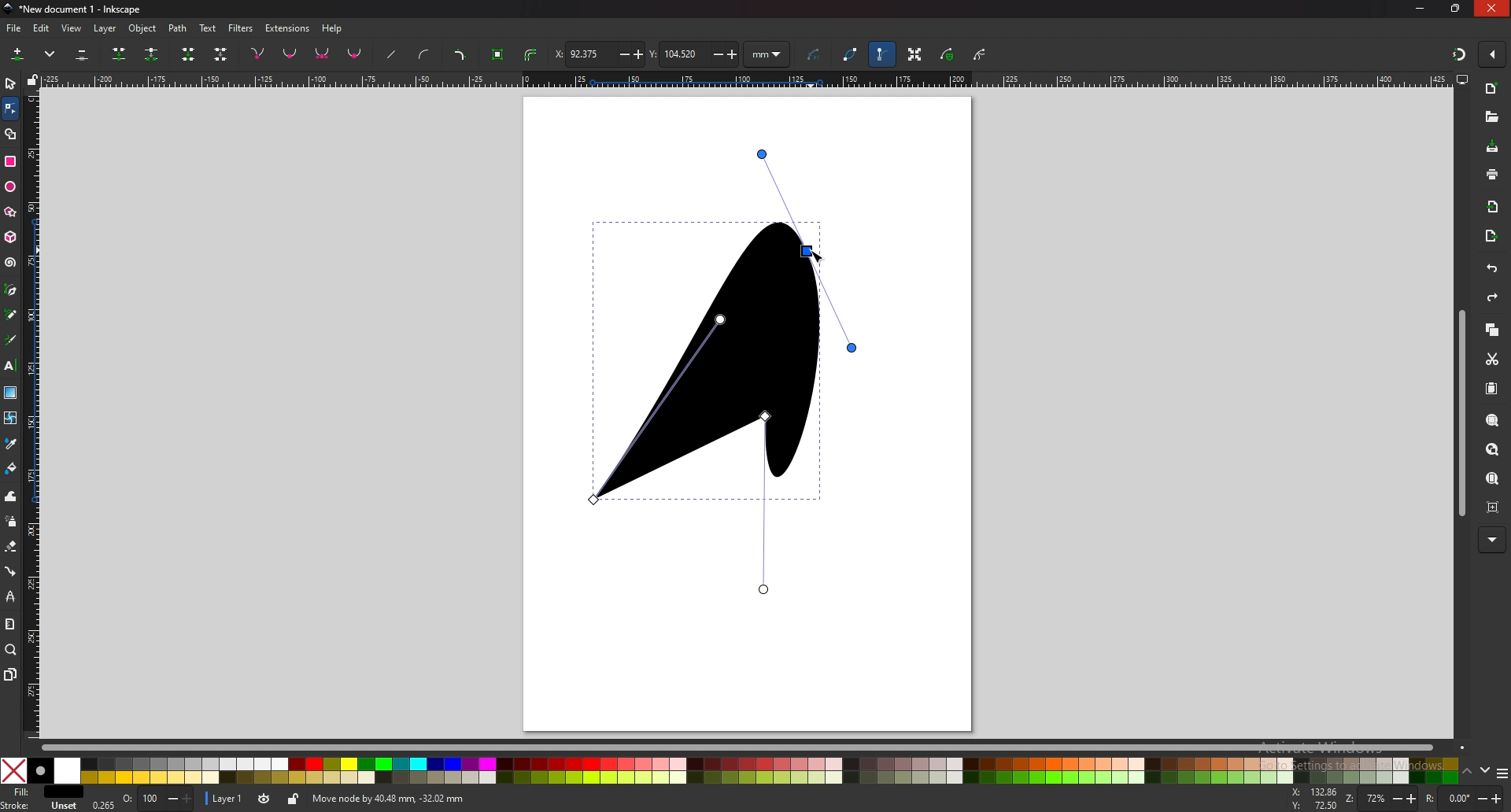 The height and width of the screenshot is (812, 1511). Describe the element at coordinates (11, 393) in the screenshot. I see `gradient` at that location.